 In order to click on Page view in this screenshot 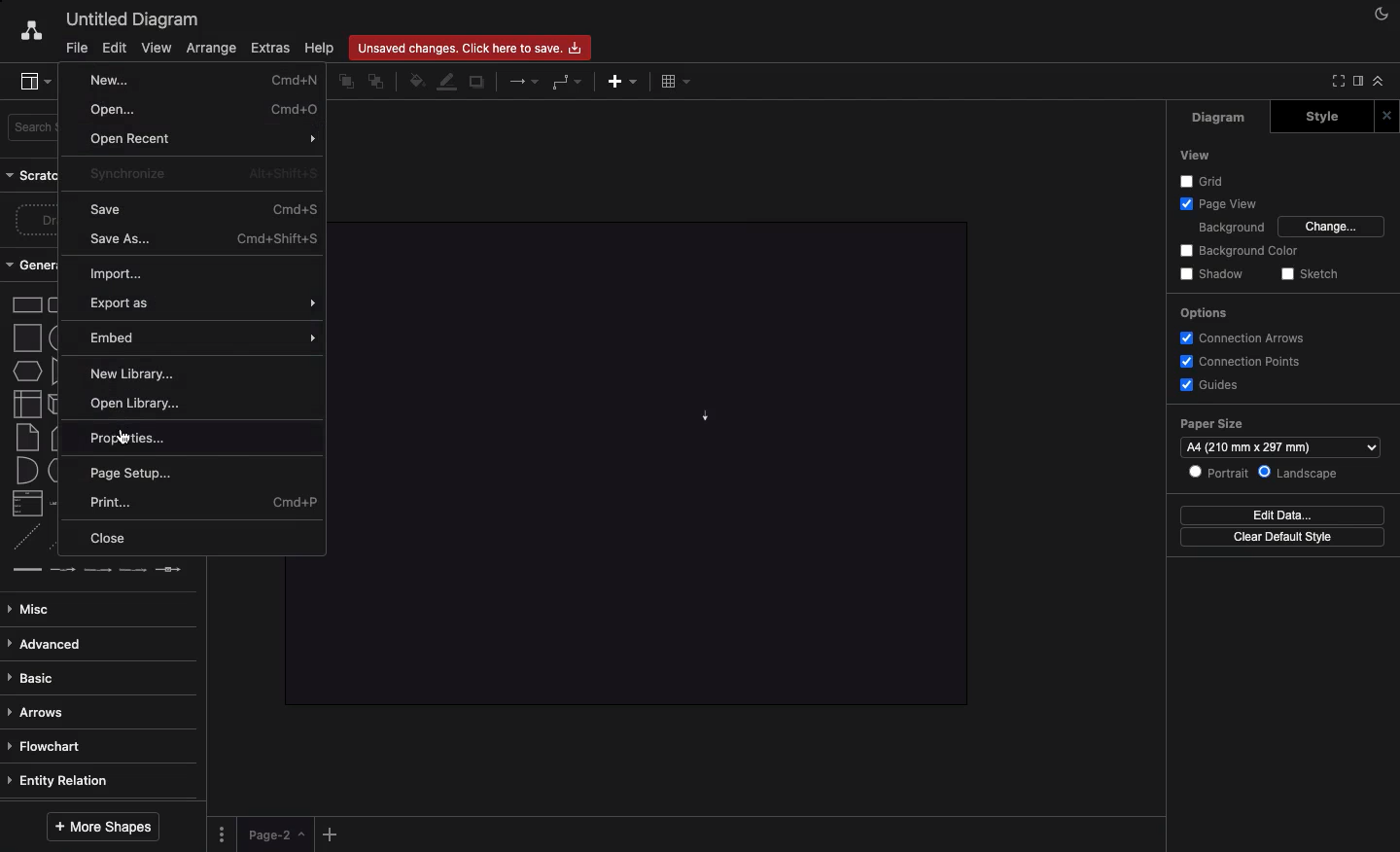, I will do `click(1215, 202)`.